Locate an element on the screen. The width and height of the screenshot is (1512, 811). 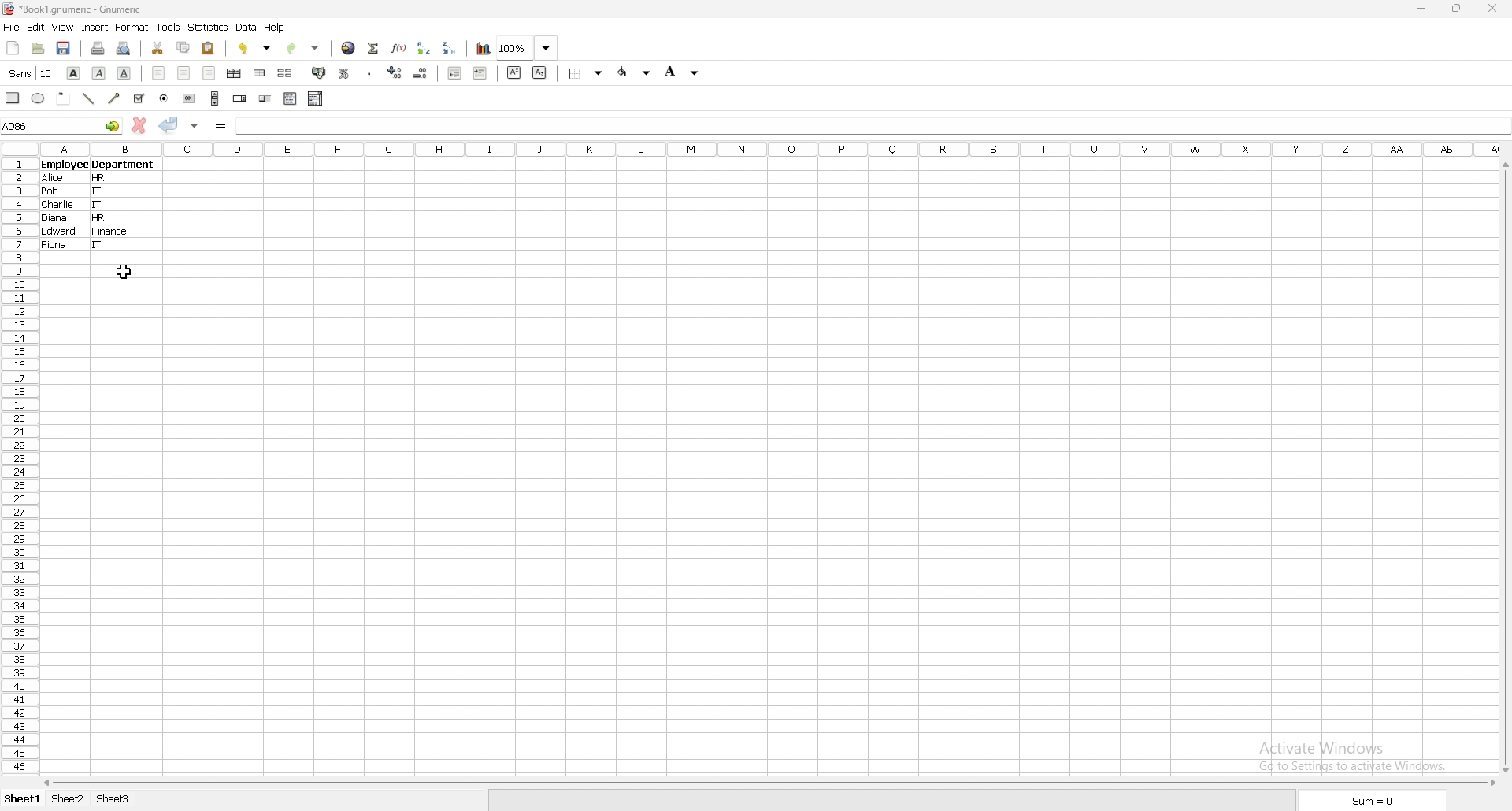
rectangle is located at coordinates (13, 97).